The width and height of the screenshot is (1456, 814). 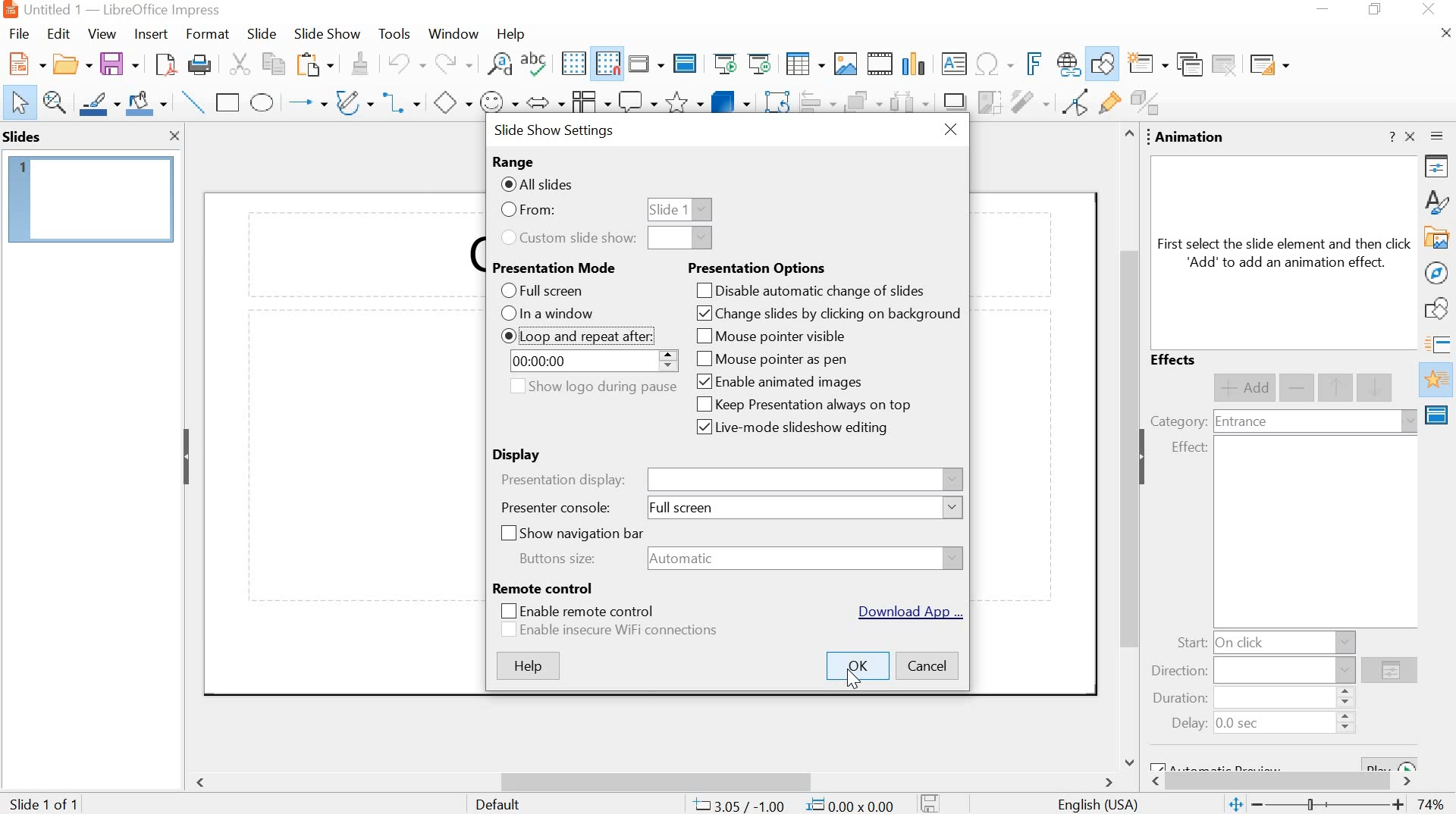 What do you see at coordinates (1411, 136) in the screenshot?
I see `close sidebar deck` at bounding box center [1411, 136].